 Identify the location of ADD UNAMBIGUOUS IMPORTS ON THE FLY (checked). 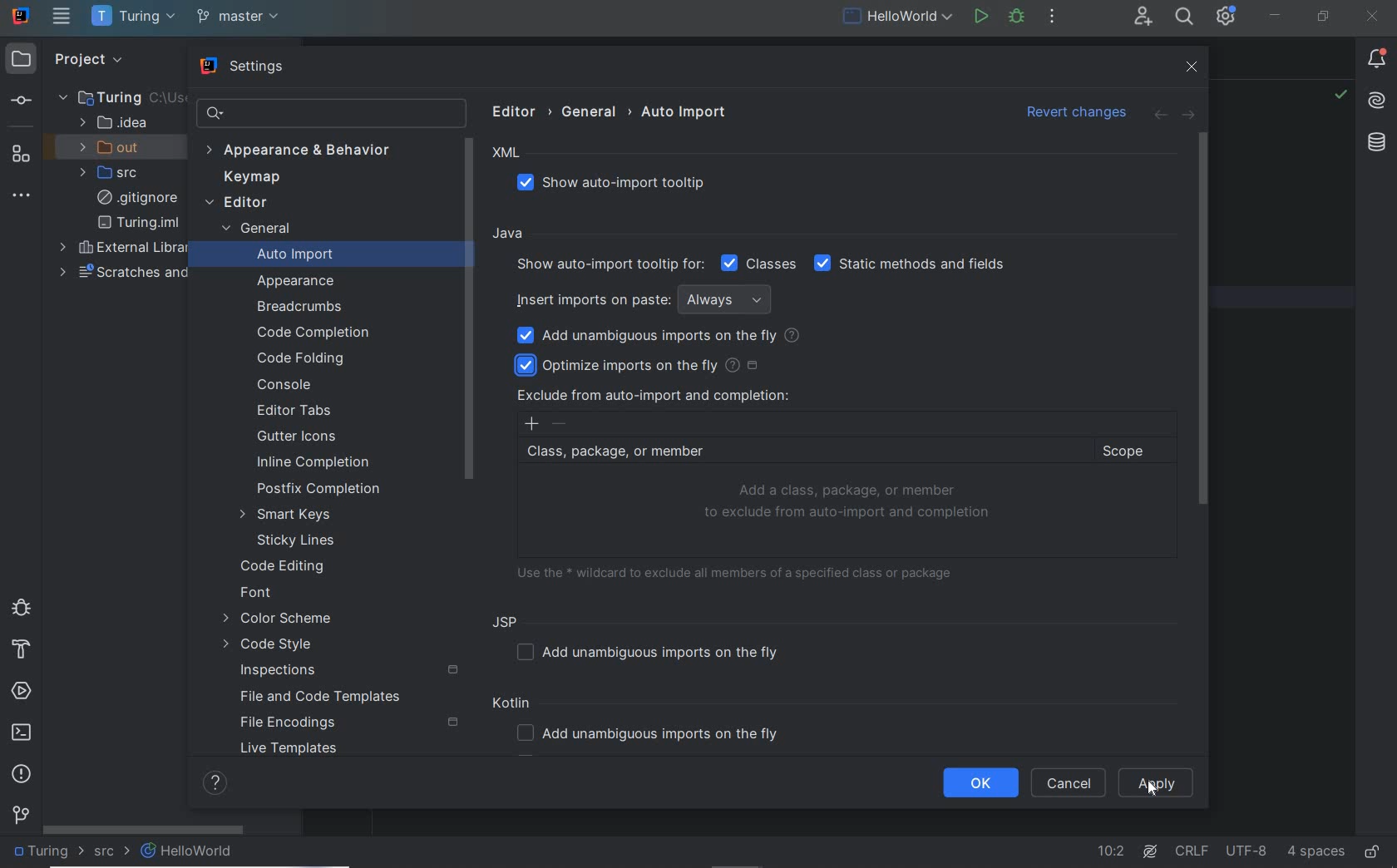
(660, 336).